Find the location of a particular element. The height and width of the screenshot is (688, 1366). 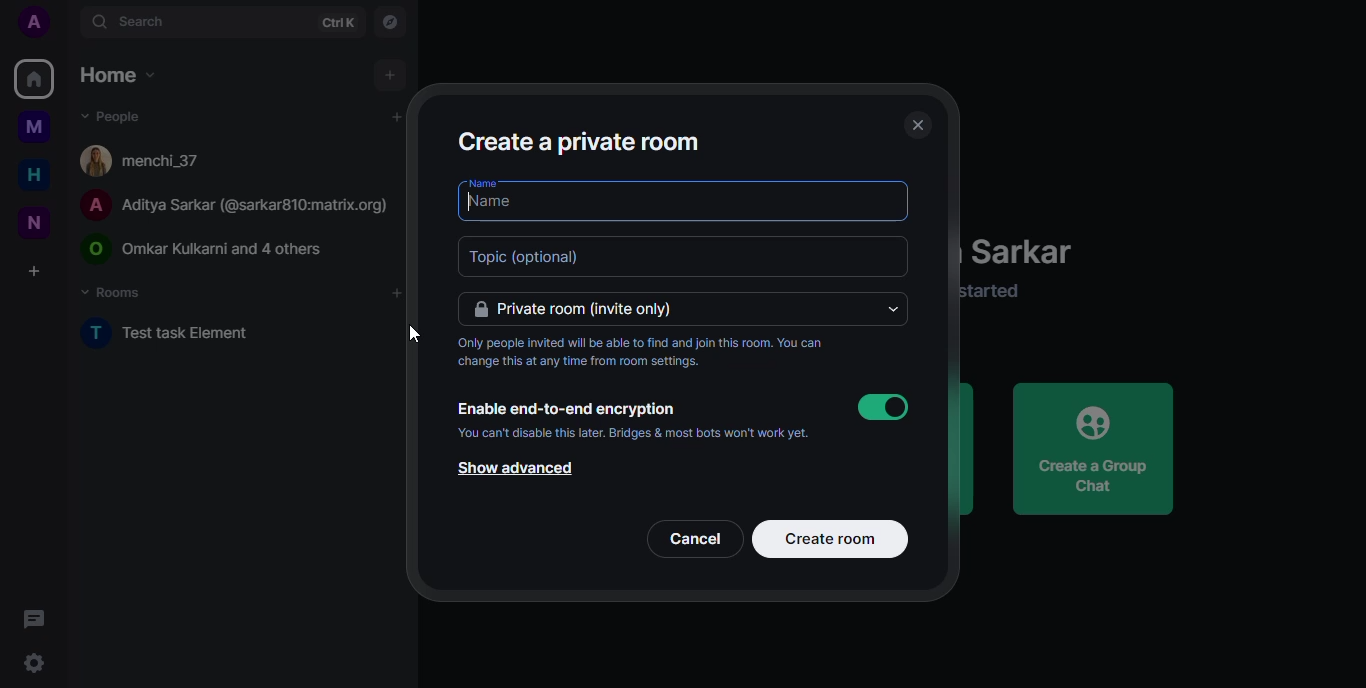

Only people invited will be able to find and join this room. You can
change this at any time from room settings. is located at coordinates (642, 353).